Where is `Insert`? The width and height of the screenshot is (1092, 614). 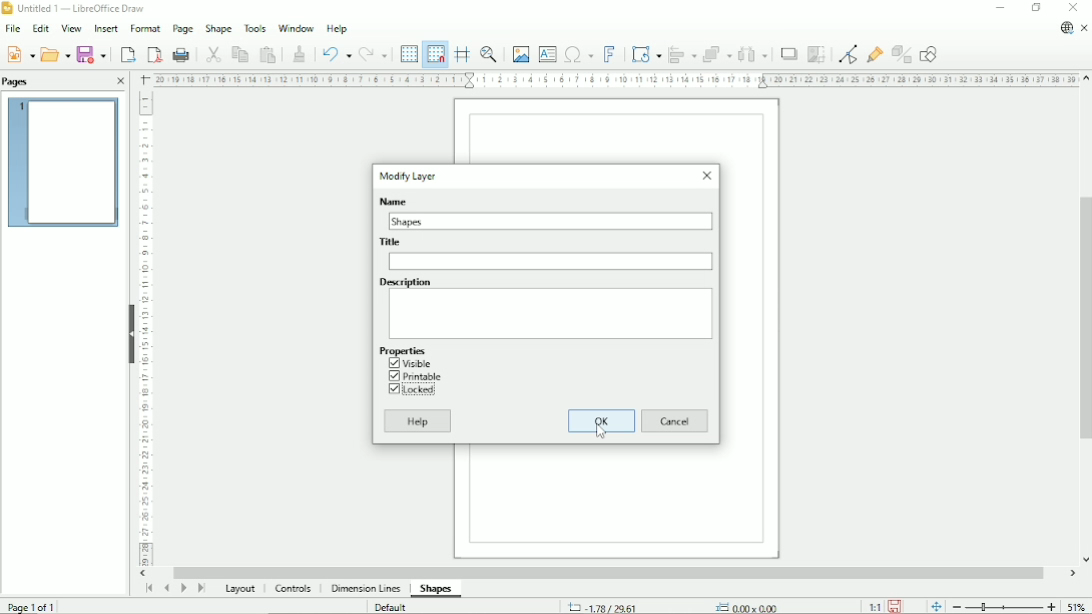
Insert is located at coordinates (107, 28).